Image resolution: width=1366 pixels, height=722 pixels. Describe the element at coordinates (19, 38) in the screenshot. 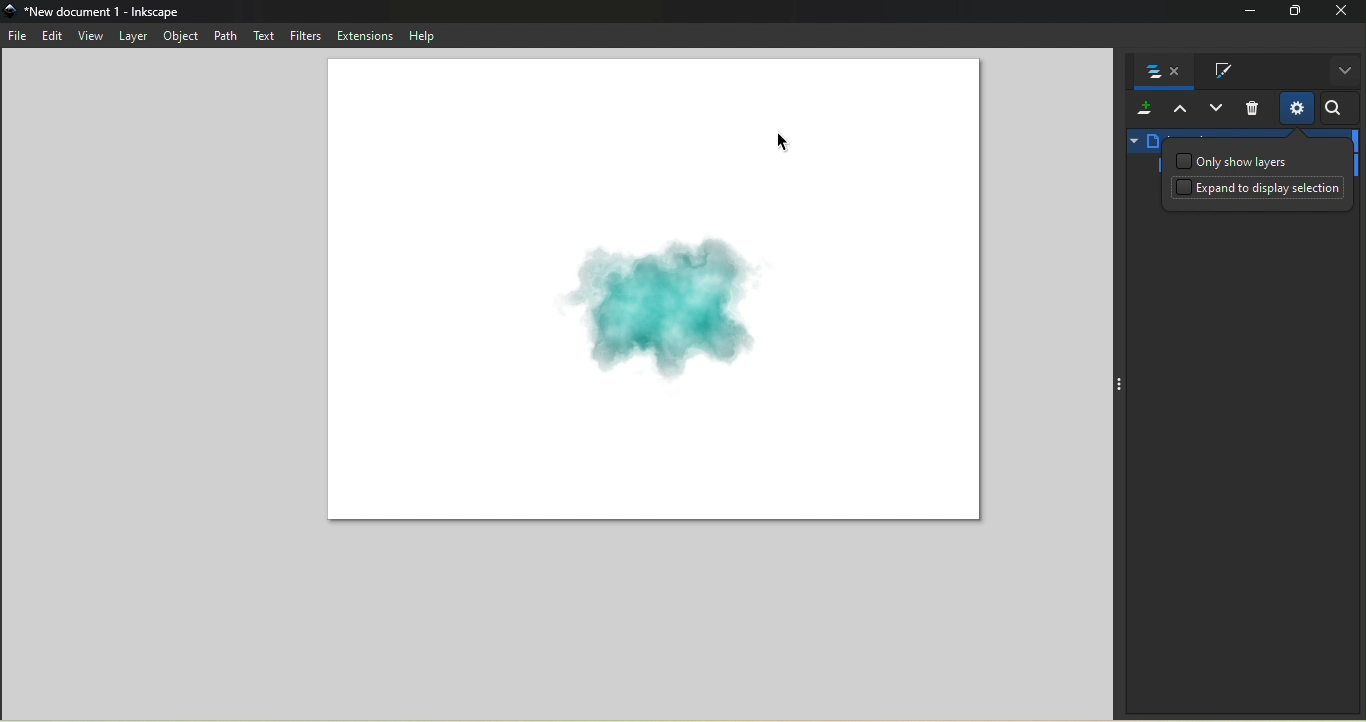

I see `File` at that location.